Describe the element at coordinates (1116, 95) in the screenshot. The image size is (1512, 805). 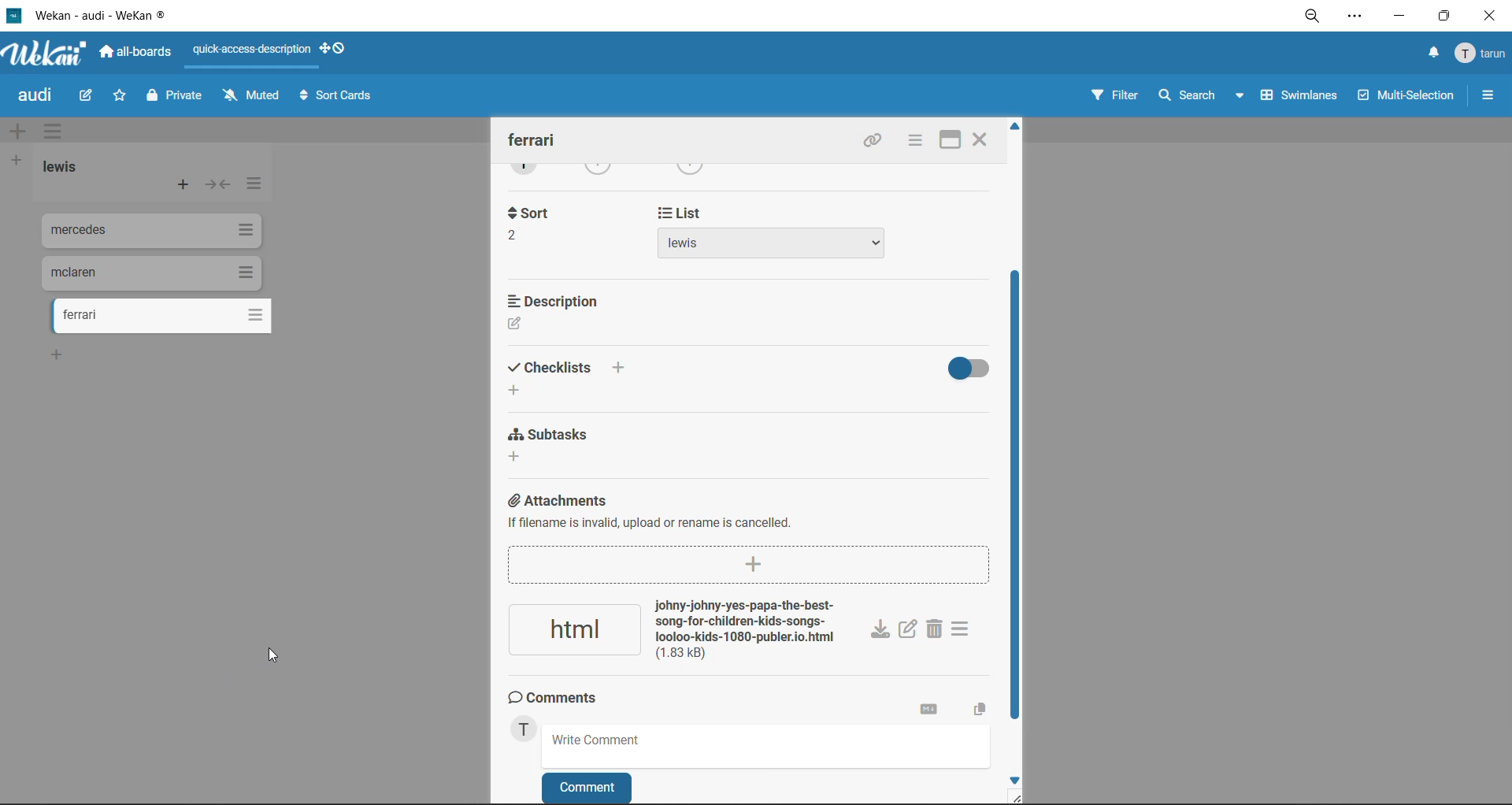
I see `filter` at that location.